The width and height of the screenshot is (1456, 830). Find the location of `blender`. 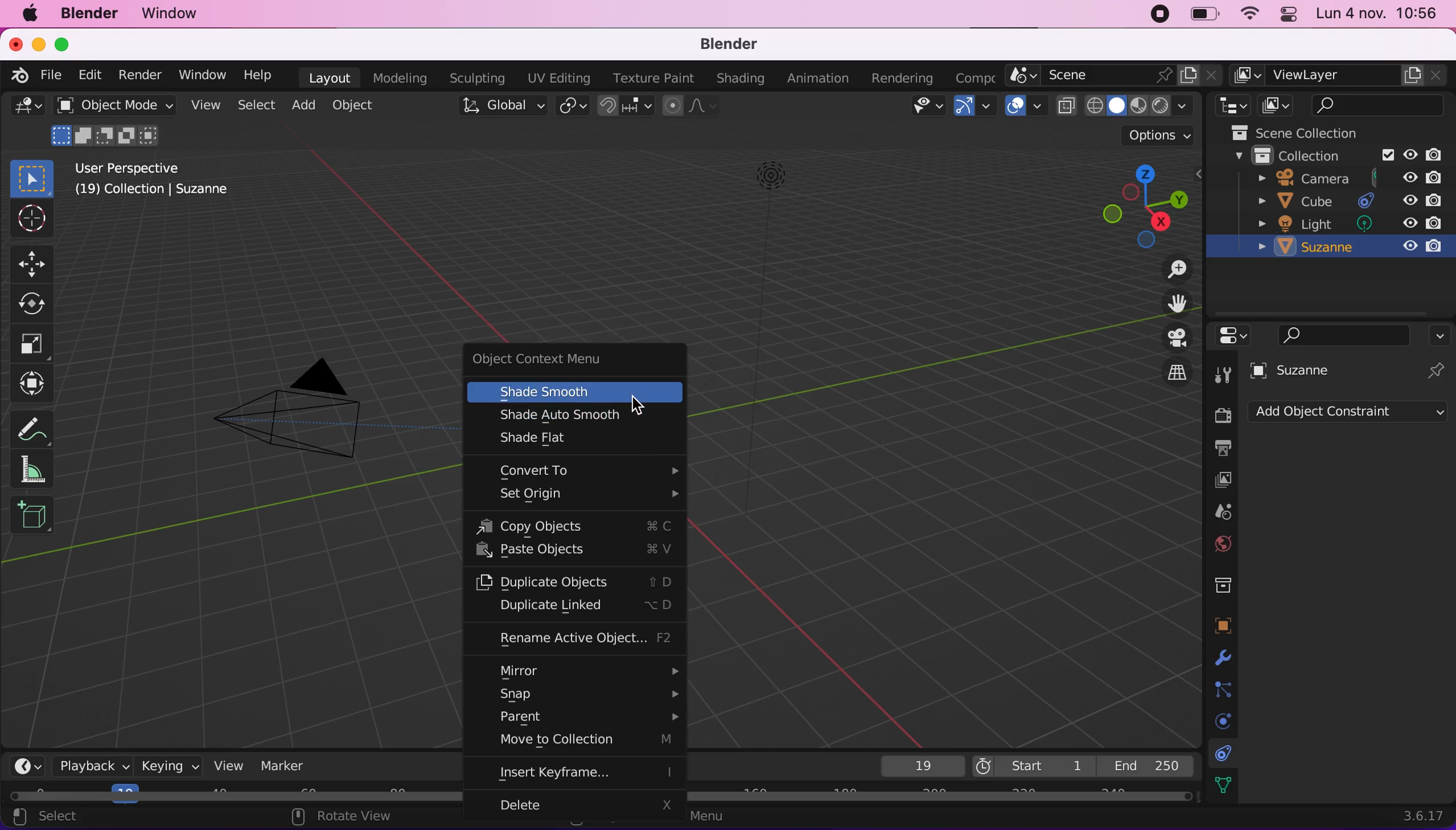

blender is located at coordinates (730, 46).